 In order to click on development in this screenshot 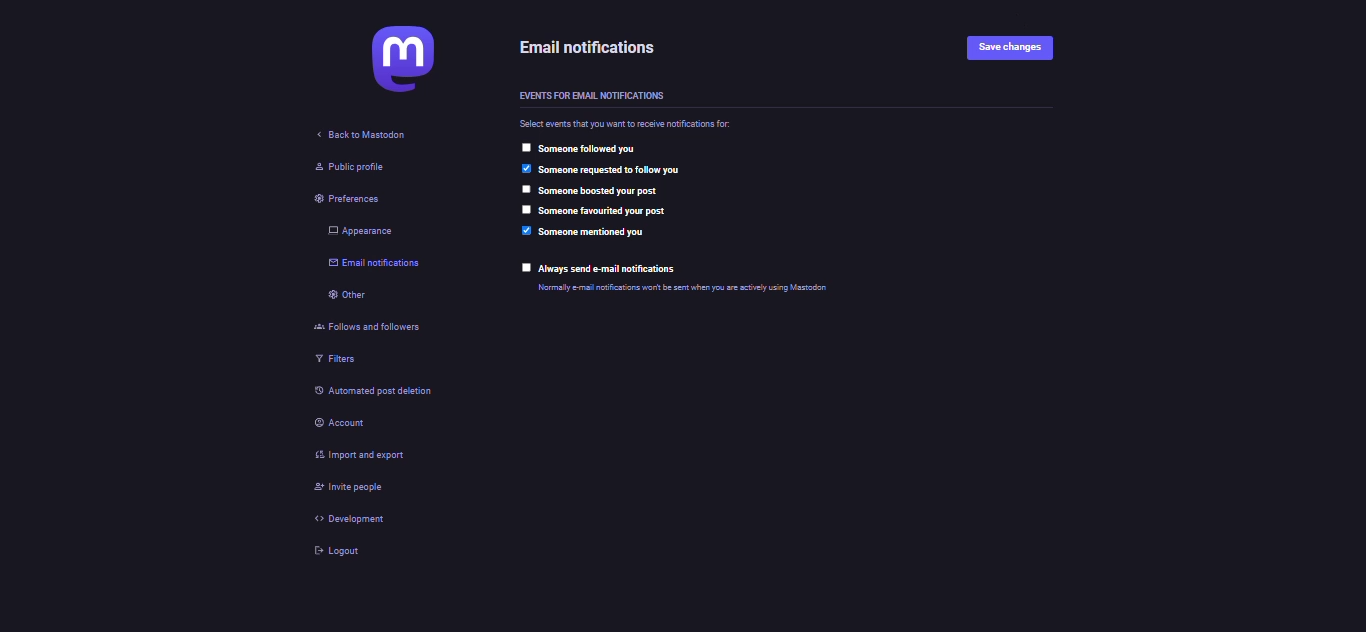, I will do `click(347, 519)`.